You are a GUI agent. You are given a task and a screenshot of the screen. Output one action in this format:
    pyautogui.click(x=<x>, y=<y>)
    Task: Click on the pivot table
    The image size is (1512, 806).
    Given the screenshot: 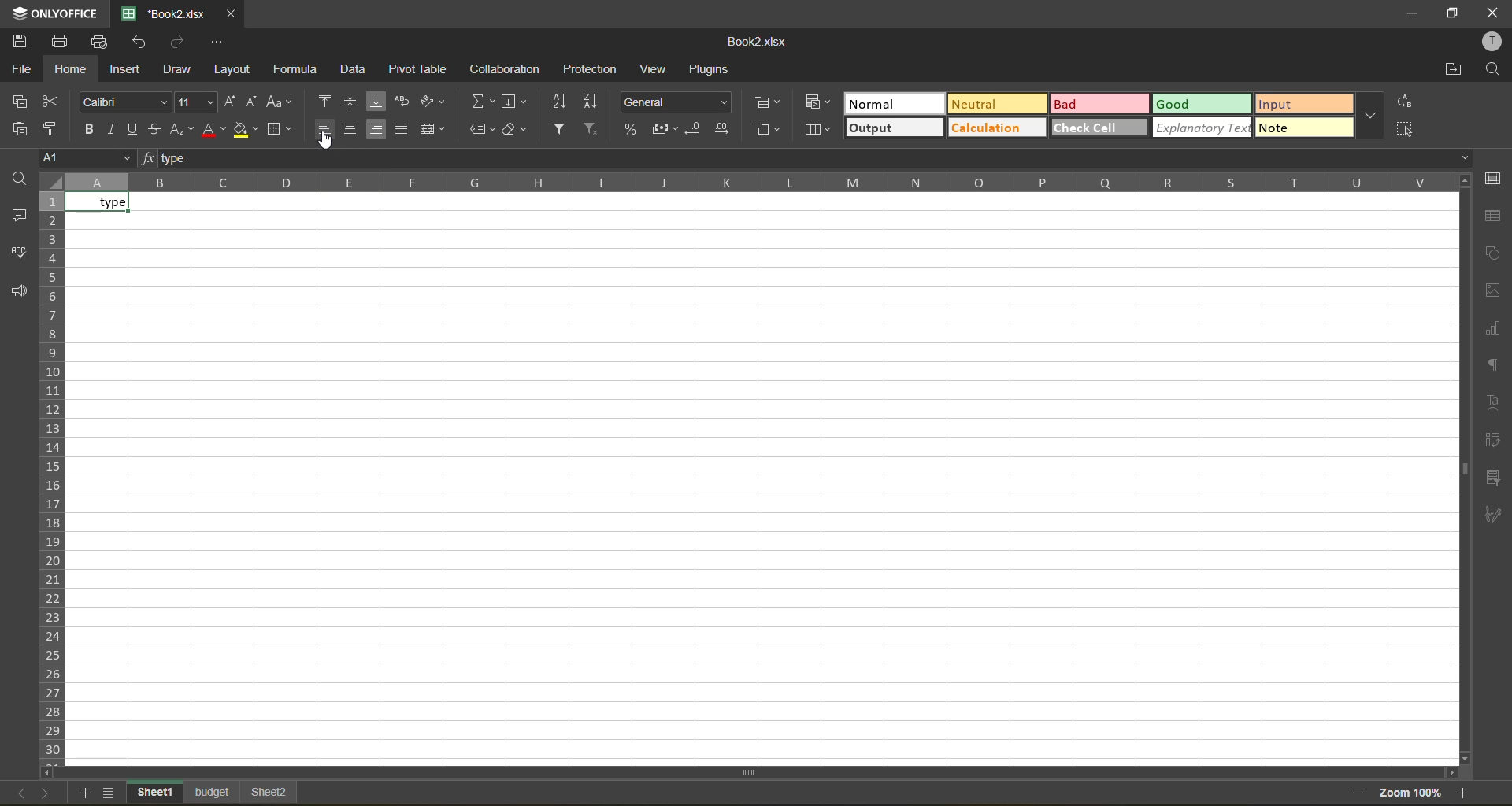 What is the action you would take?
    pyautogui.click(x=419, y=70)
    